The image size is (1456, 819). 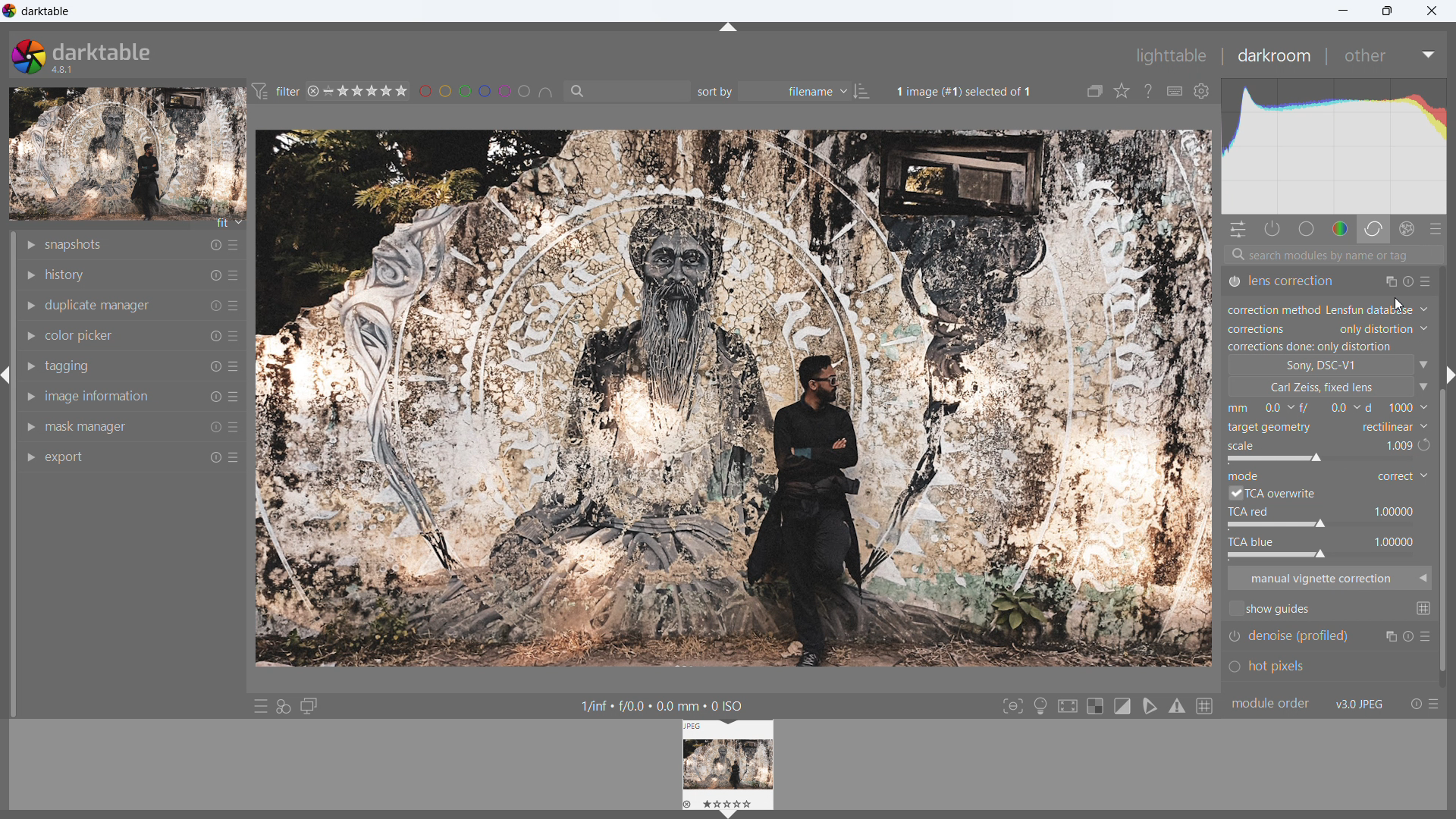 I want to click on preview updated, so click(x=130, y=152).